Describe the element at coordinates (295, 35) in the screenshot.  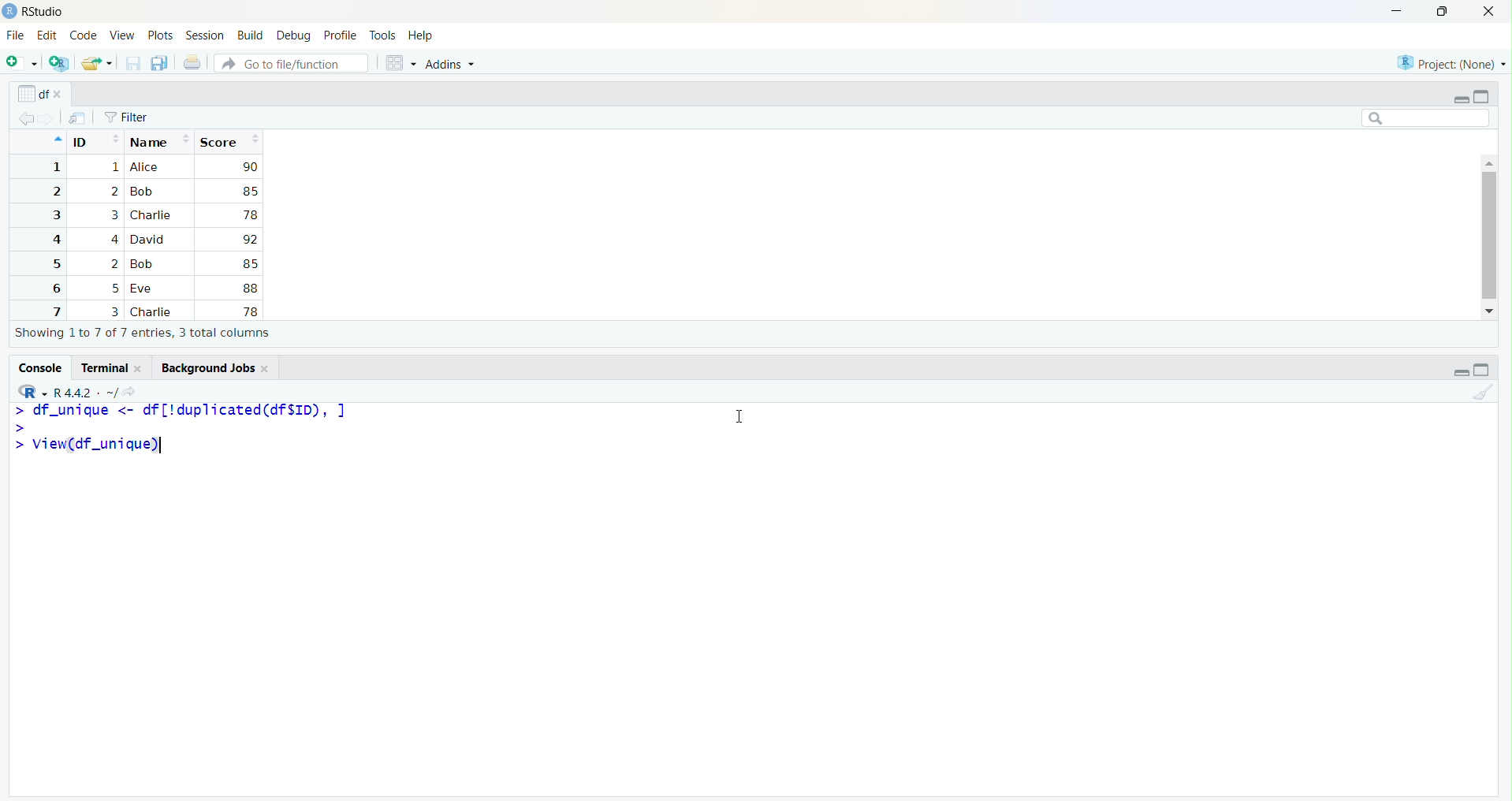
I see `Debug` at that location.